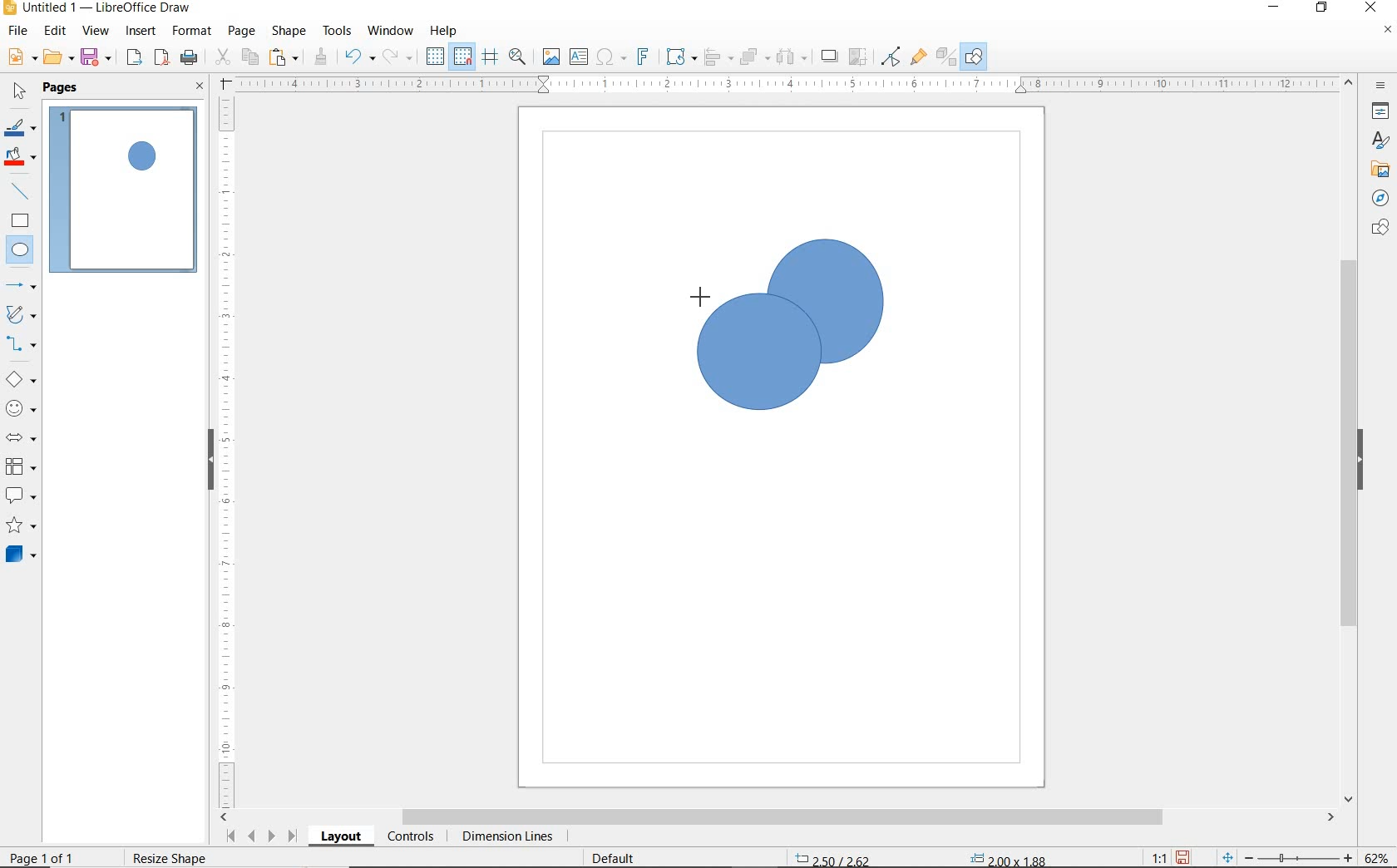 The height and width of the screenshot is (868, 1397). I want to click on SHOW DRAW FUNCTONS, so click(974, 57).